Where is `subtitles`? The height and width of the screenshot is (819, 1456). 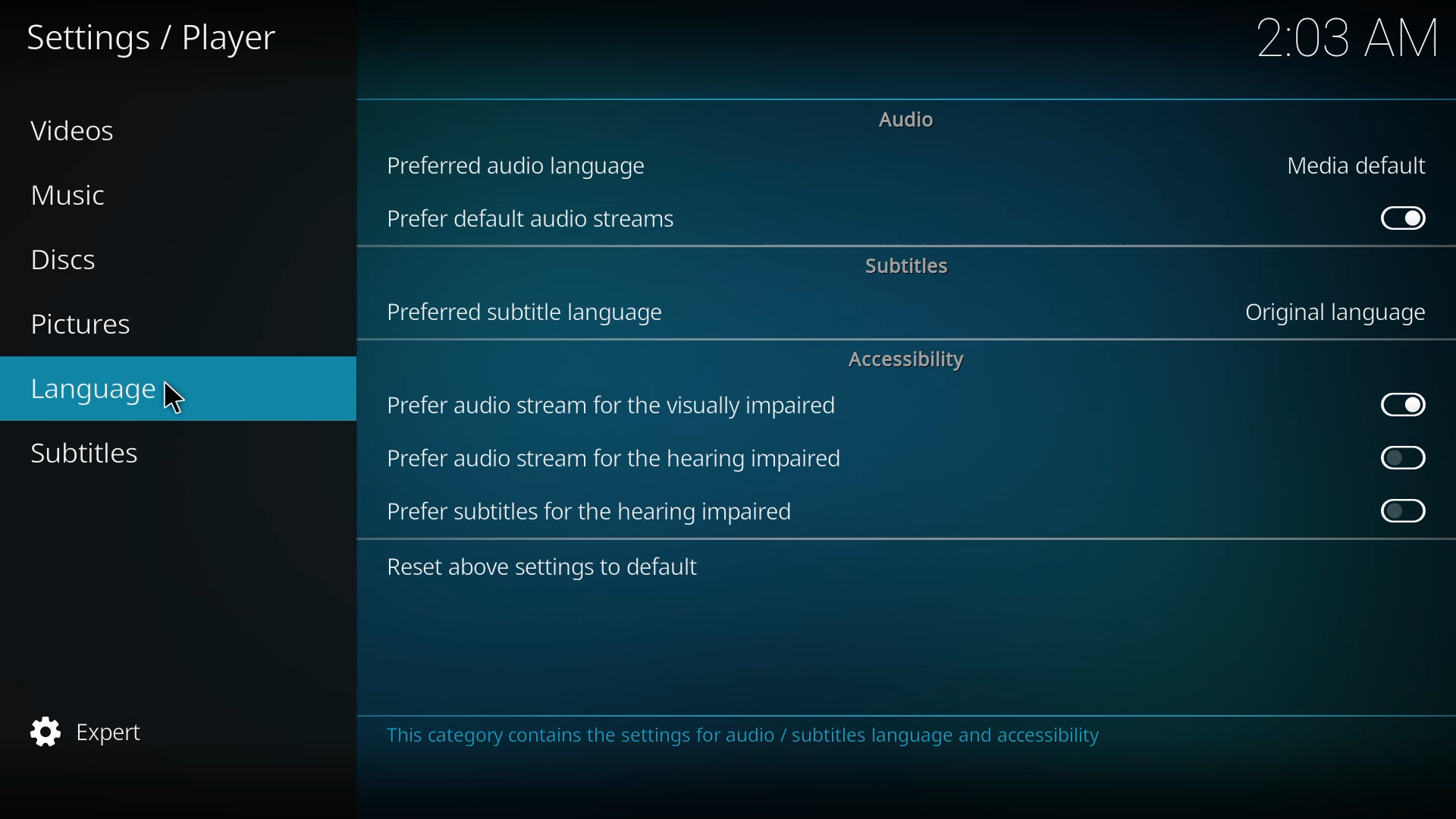 subtitles is located at coordinates (904, 267).